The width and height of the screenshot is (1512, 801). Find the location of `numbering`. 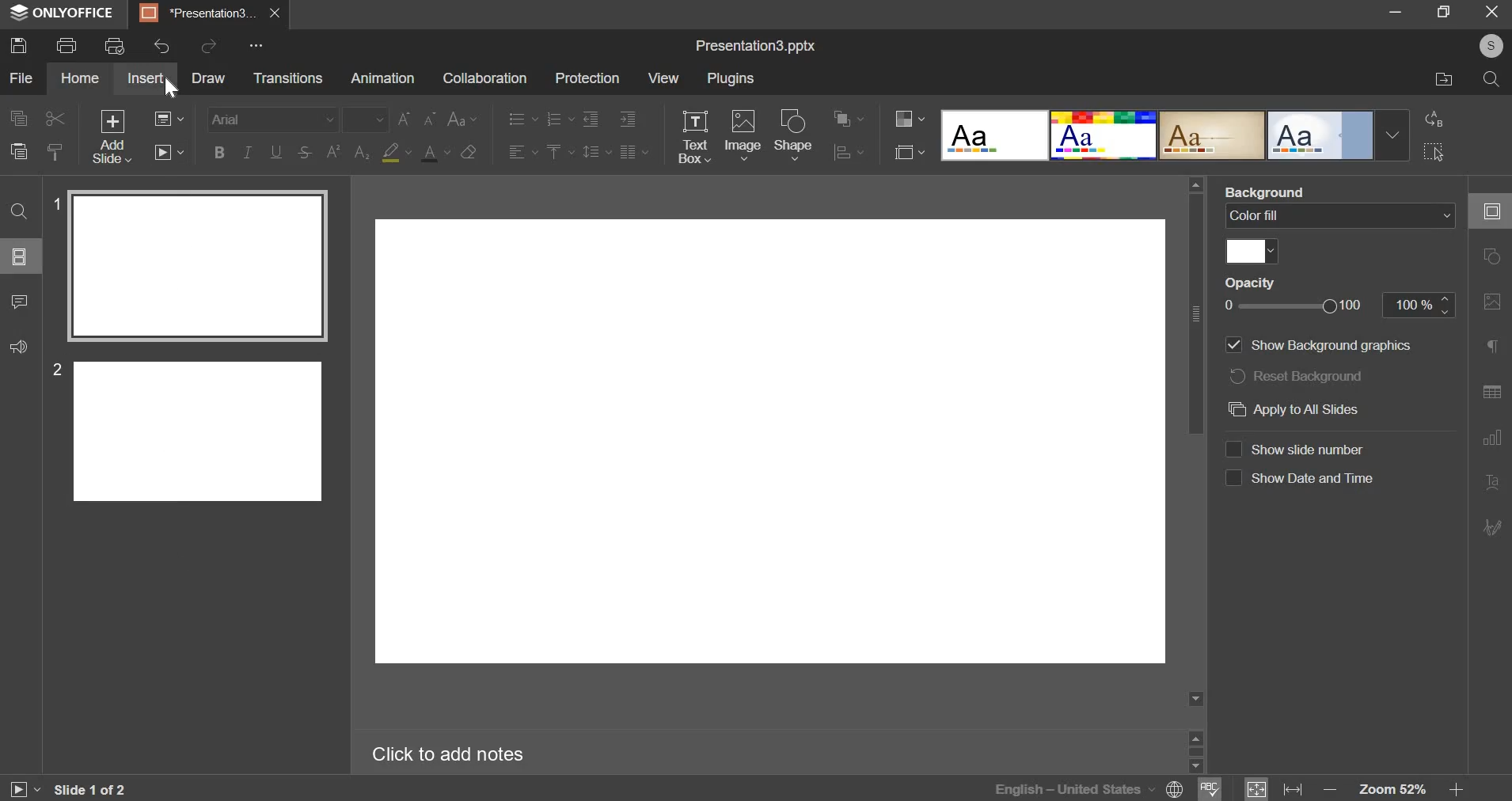

numbering is located at coordinates (560, 119).